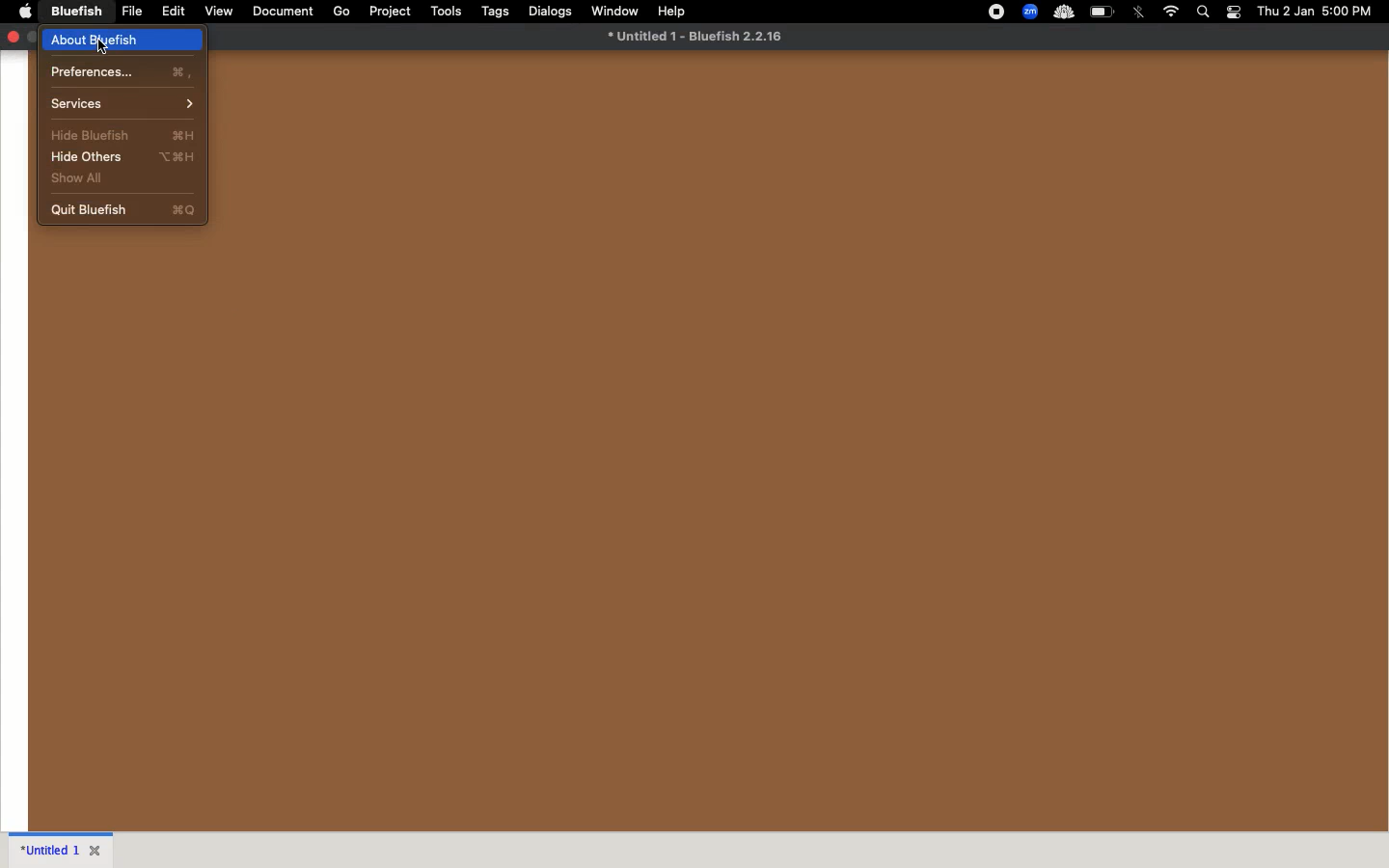 The height and width of the screenshot is (868, 1389). Describe the element at coordinates (1142, 13) in the screenshot. I see `bluetooth` at that location.